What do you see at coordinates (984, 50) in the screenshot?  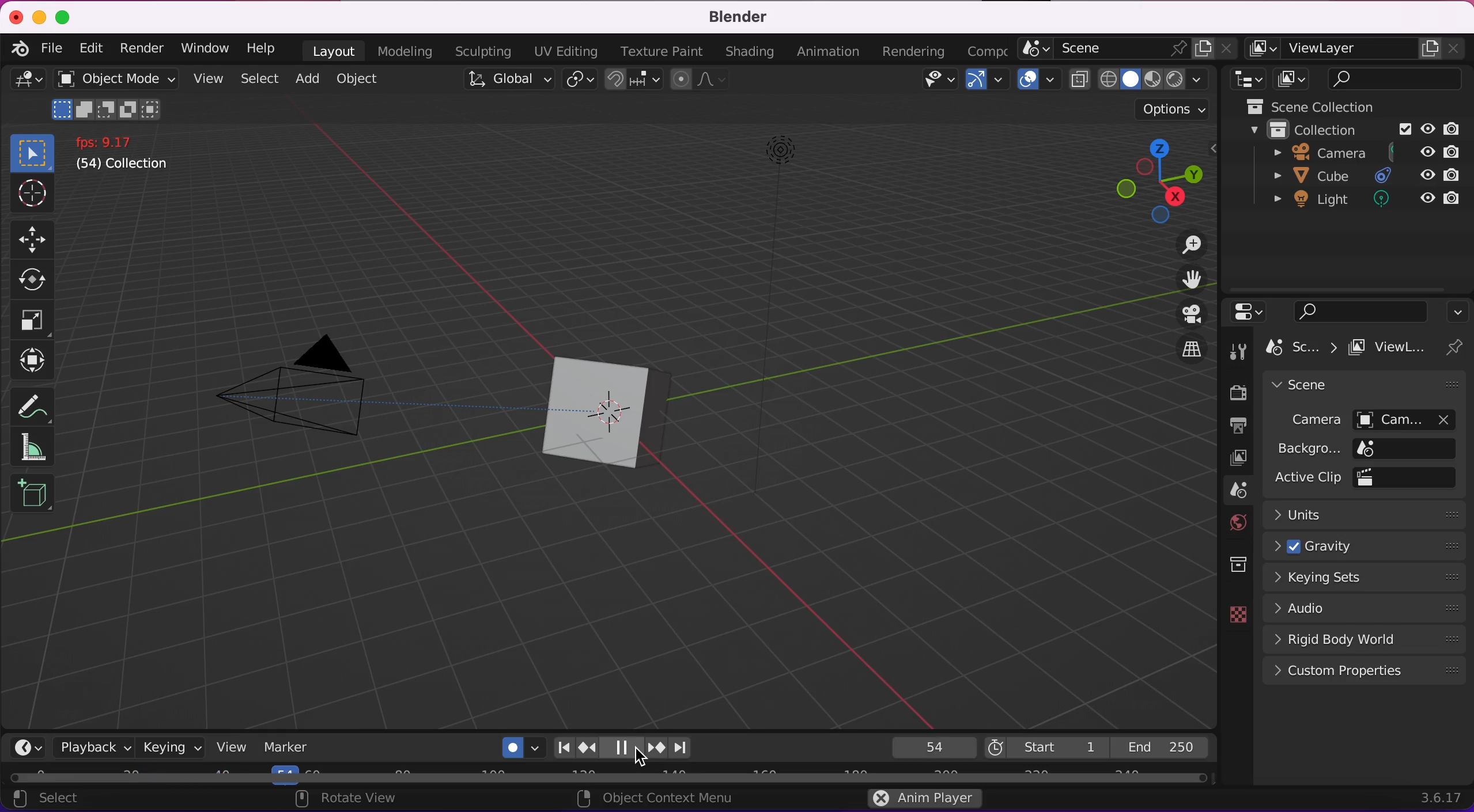 I see `Composition` at bounding box center [984, 50].